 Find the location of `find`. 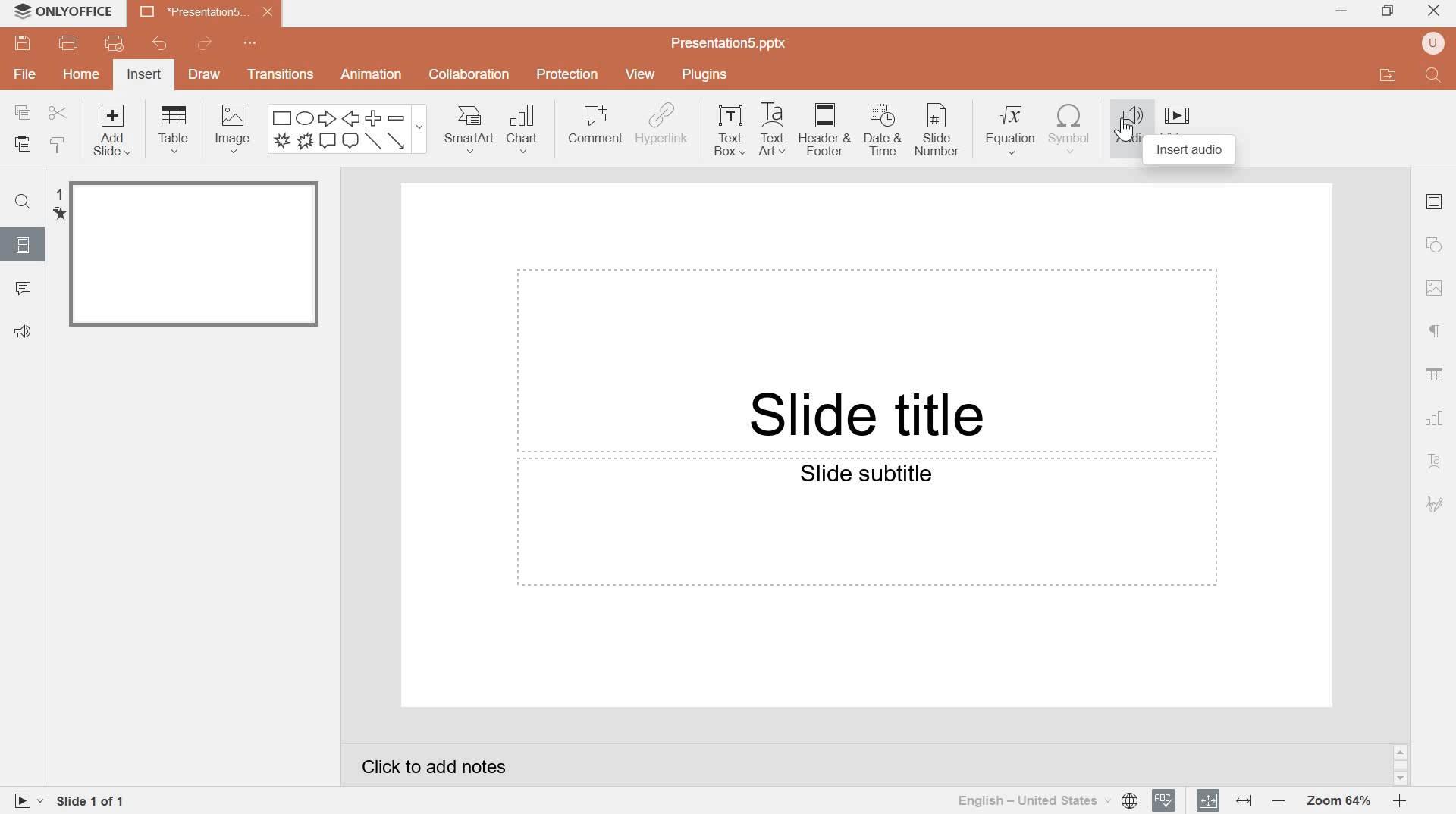

find is located at coordinates (22, 202).